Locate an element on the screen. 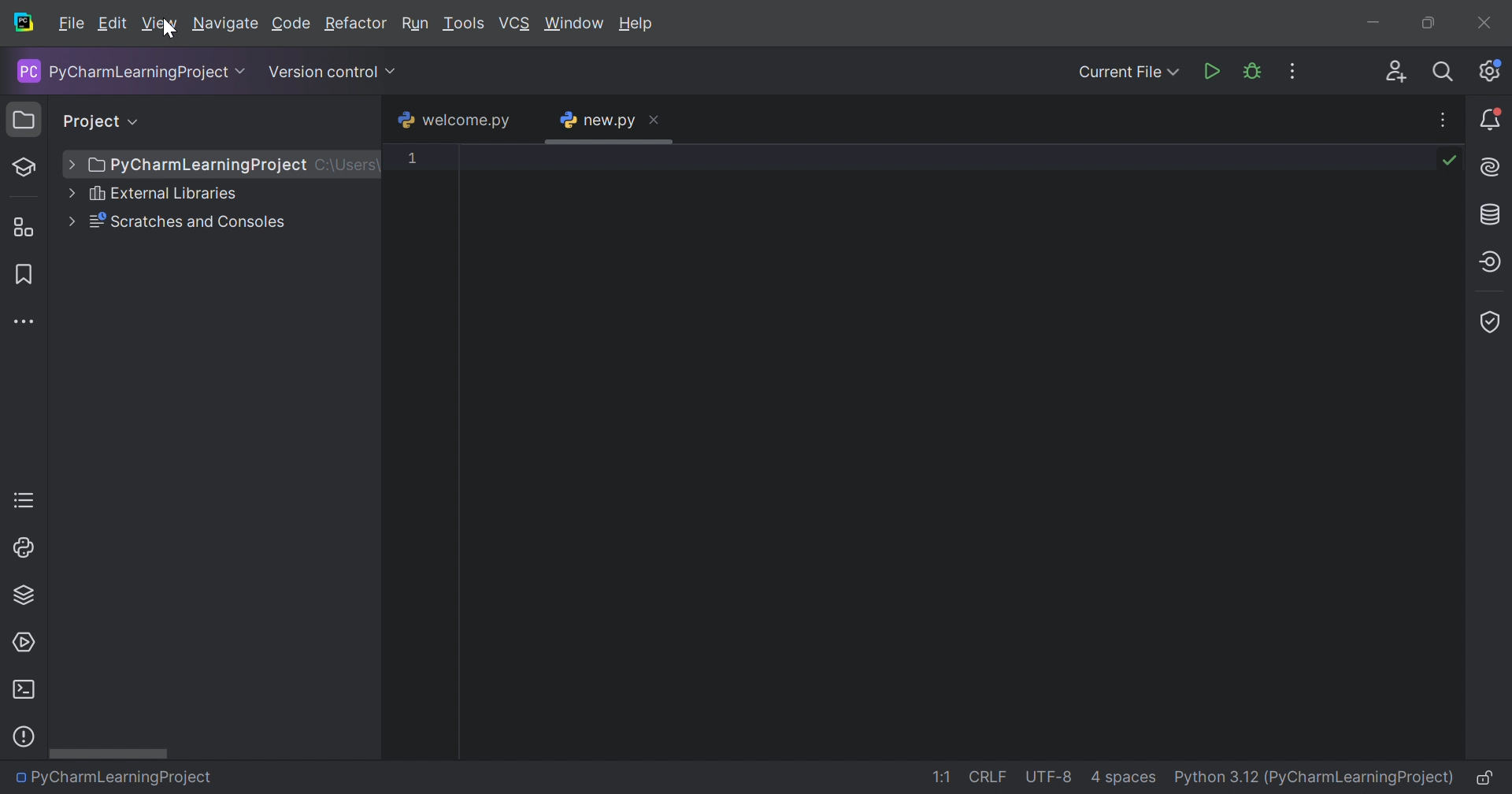 This screenshot has width=1512, height=794. (PyCharmLearningProject) is located at coordinates (1361, 777).